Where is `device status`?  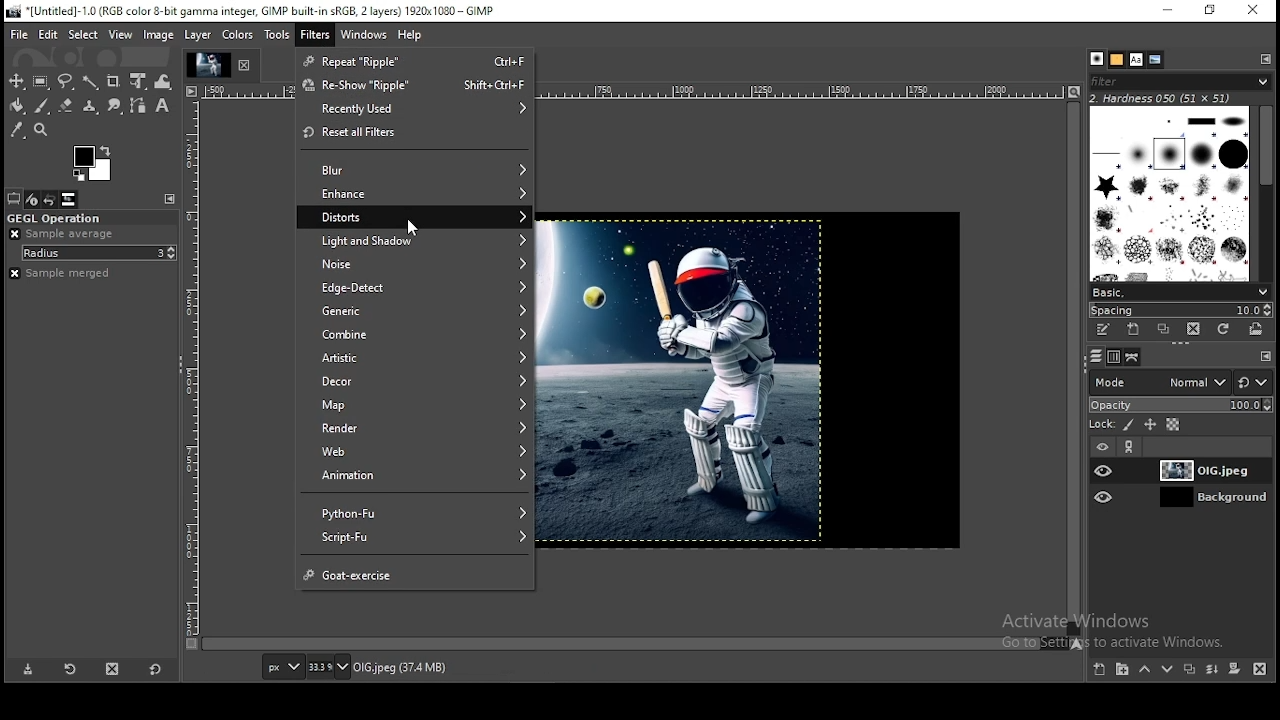 device status is located at coordinates (33, 200).